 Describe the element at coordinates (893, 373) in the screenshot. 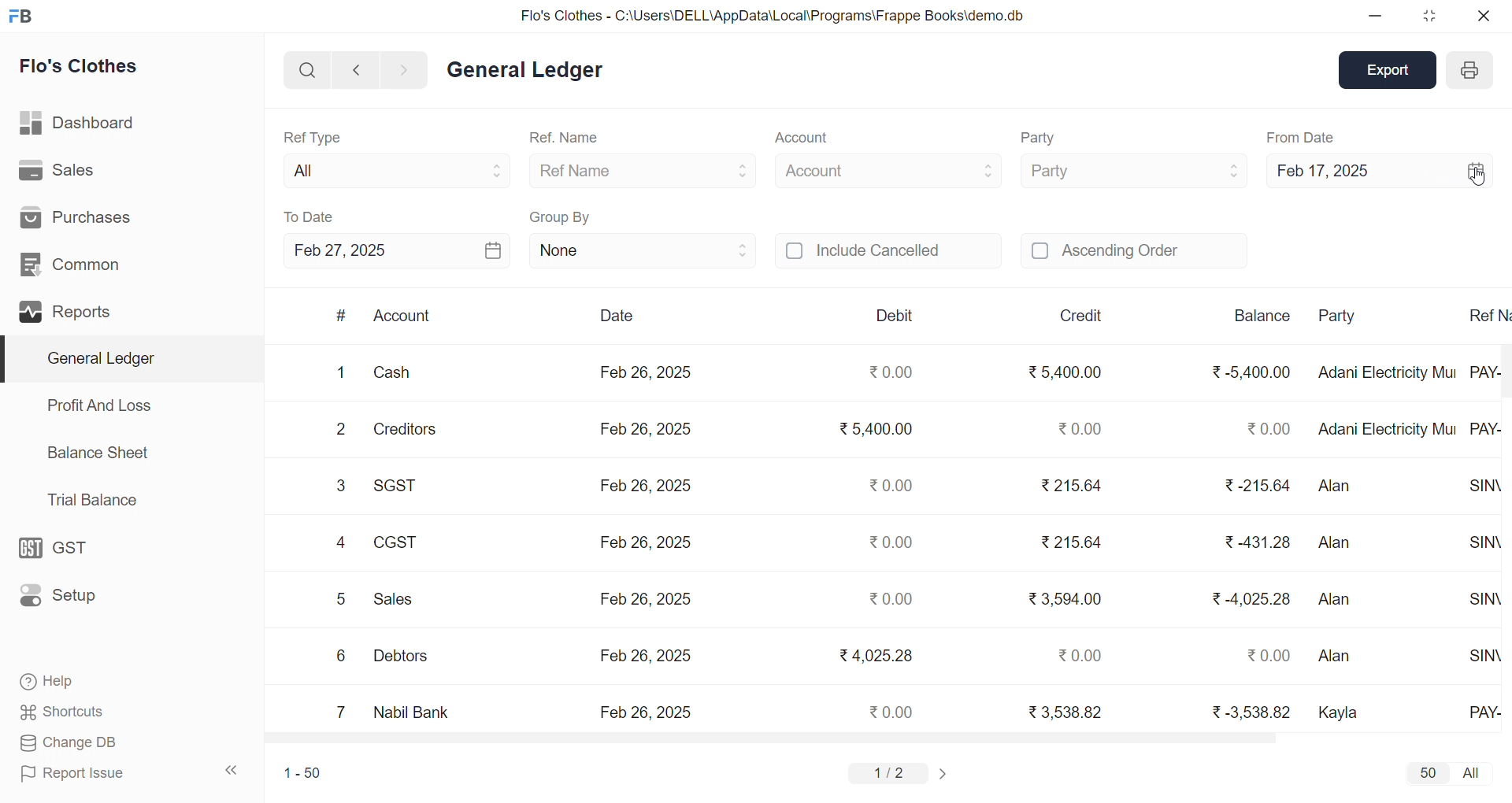

I see `₹0.00` at that location.